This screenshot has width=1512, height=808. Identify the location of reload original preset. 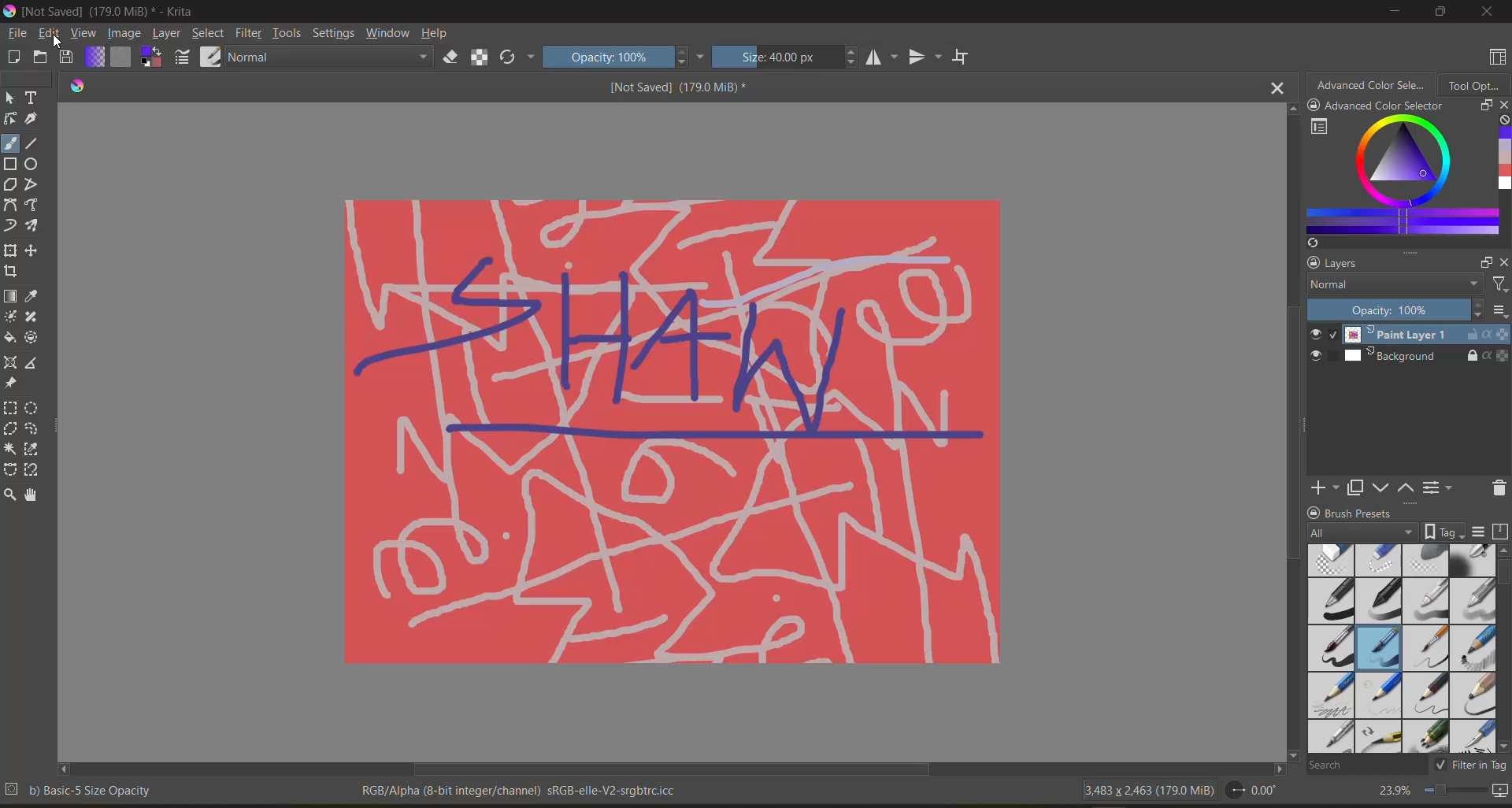
(517, 60).